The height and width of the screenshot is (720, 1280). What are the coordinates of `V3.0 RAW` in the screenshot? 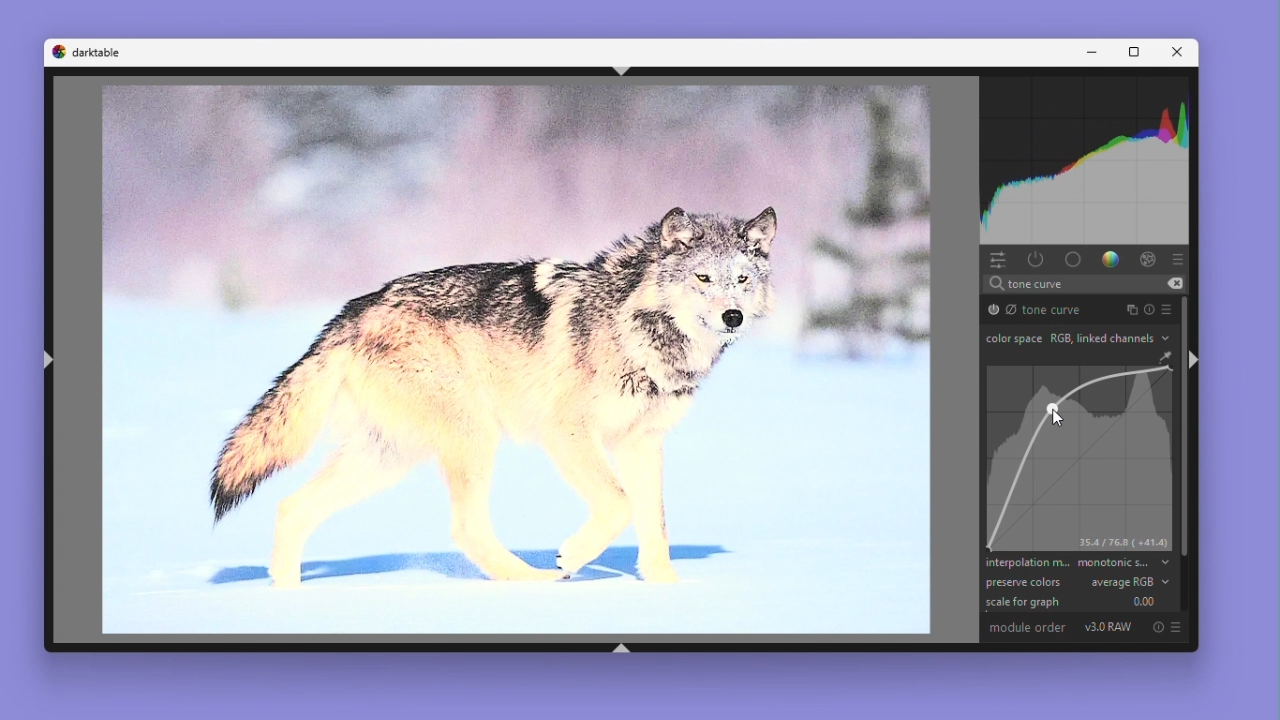 It's located at (1108, 628).